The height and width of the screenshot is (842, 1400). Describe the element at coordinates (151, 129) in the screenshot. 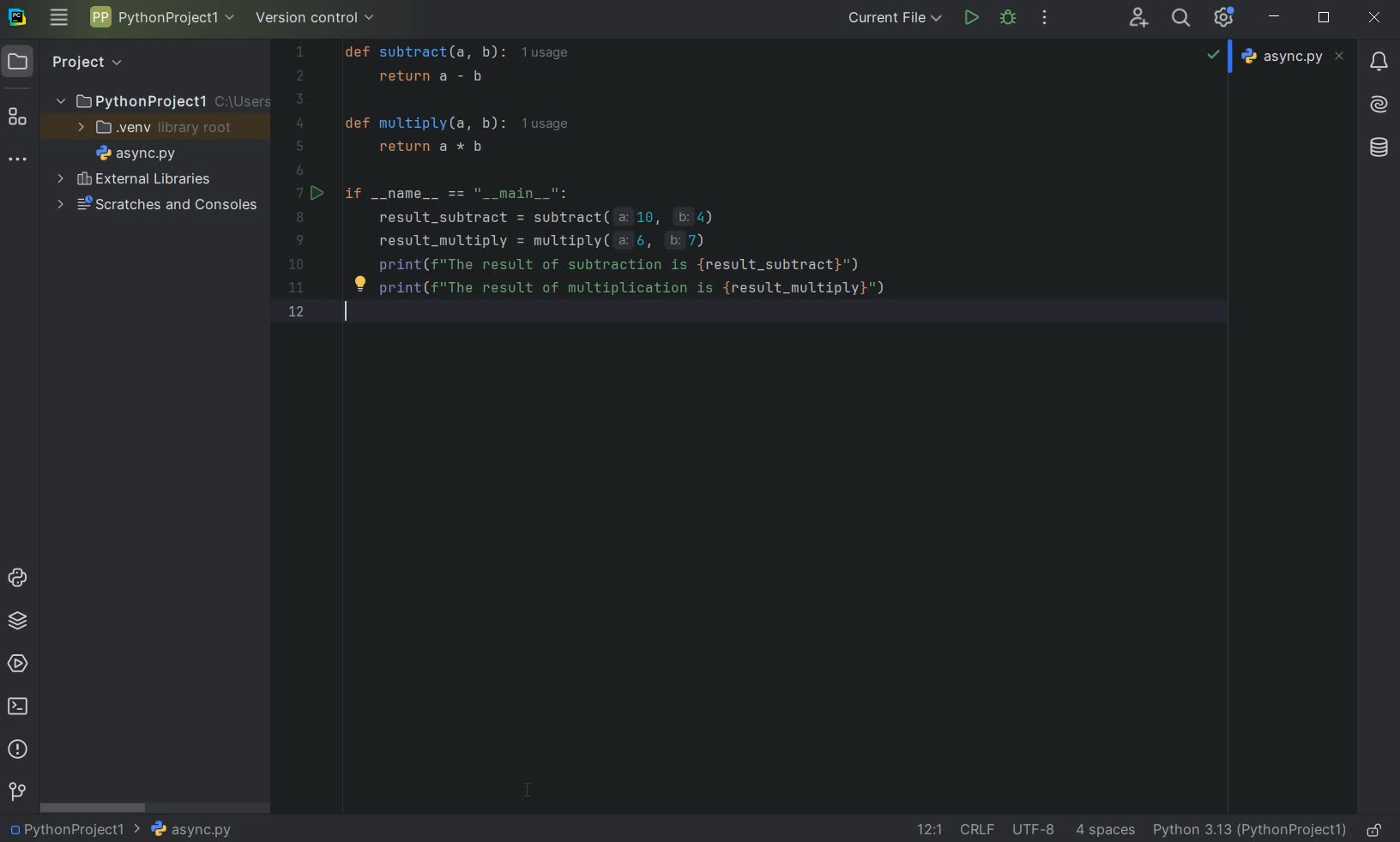

I see `.venv` at that location.